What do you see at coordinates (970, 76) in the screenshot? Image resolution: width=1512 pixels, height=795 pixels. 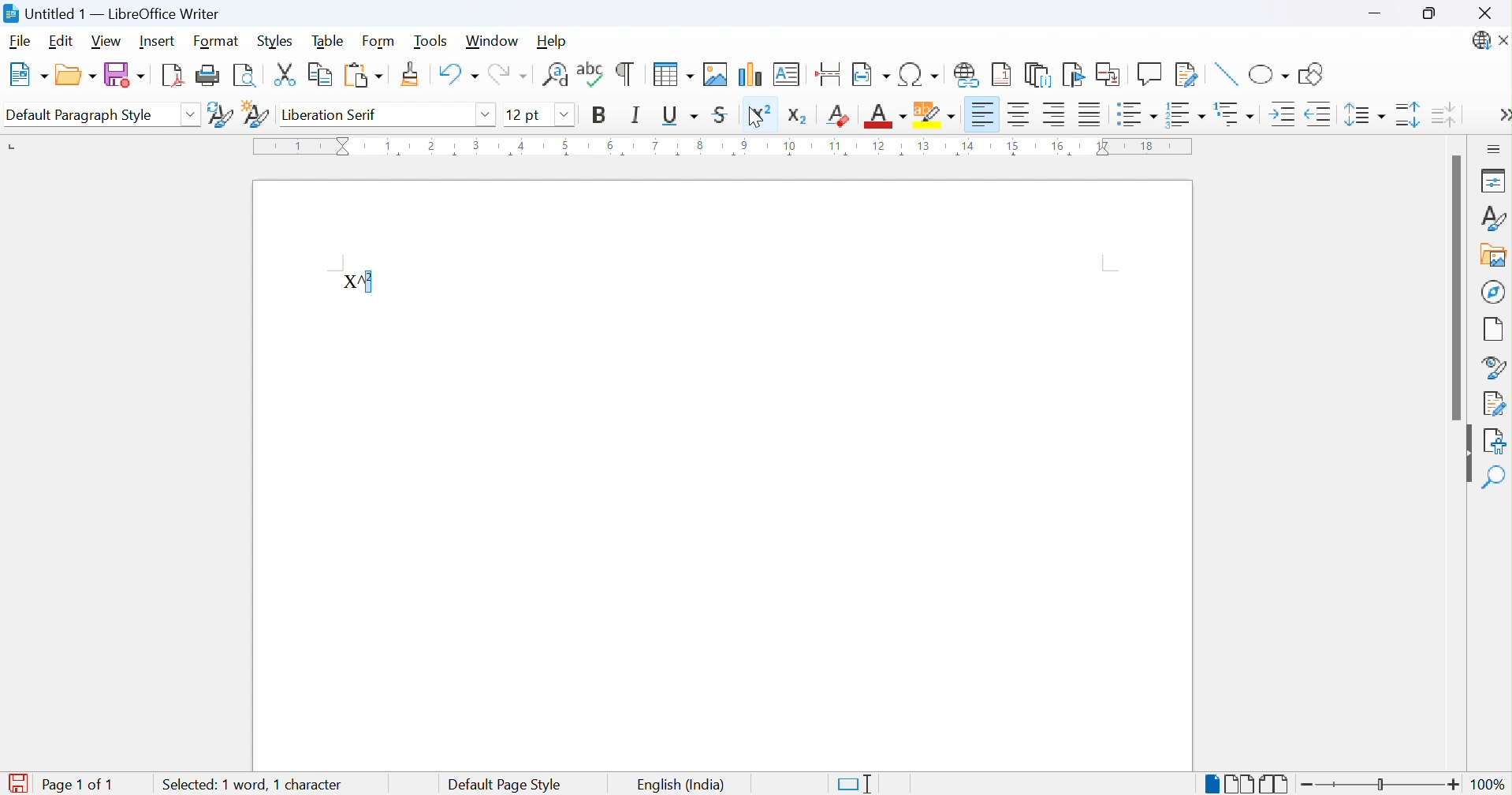 I see `Insert hyperlink` at bounding box center [970, 76].